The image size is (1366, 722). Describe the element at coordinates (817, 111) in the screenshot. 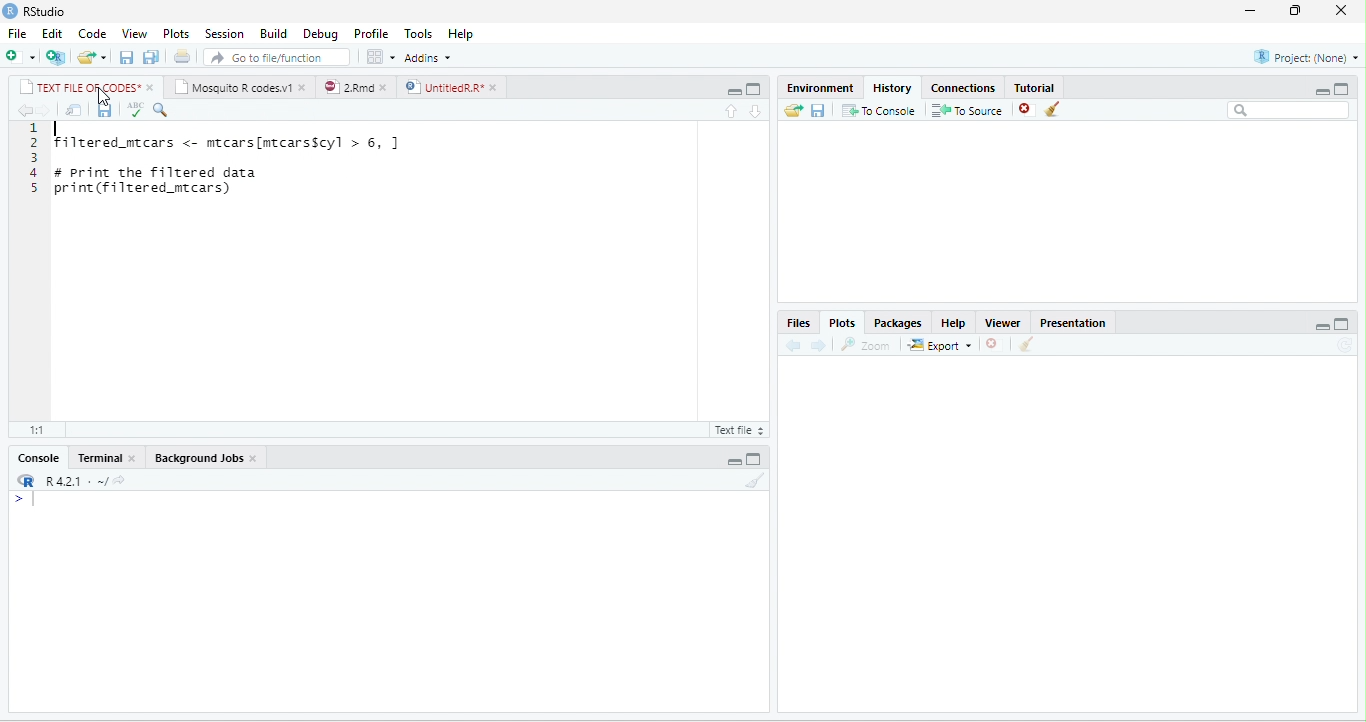

I see `save` at that location.